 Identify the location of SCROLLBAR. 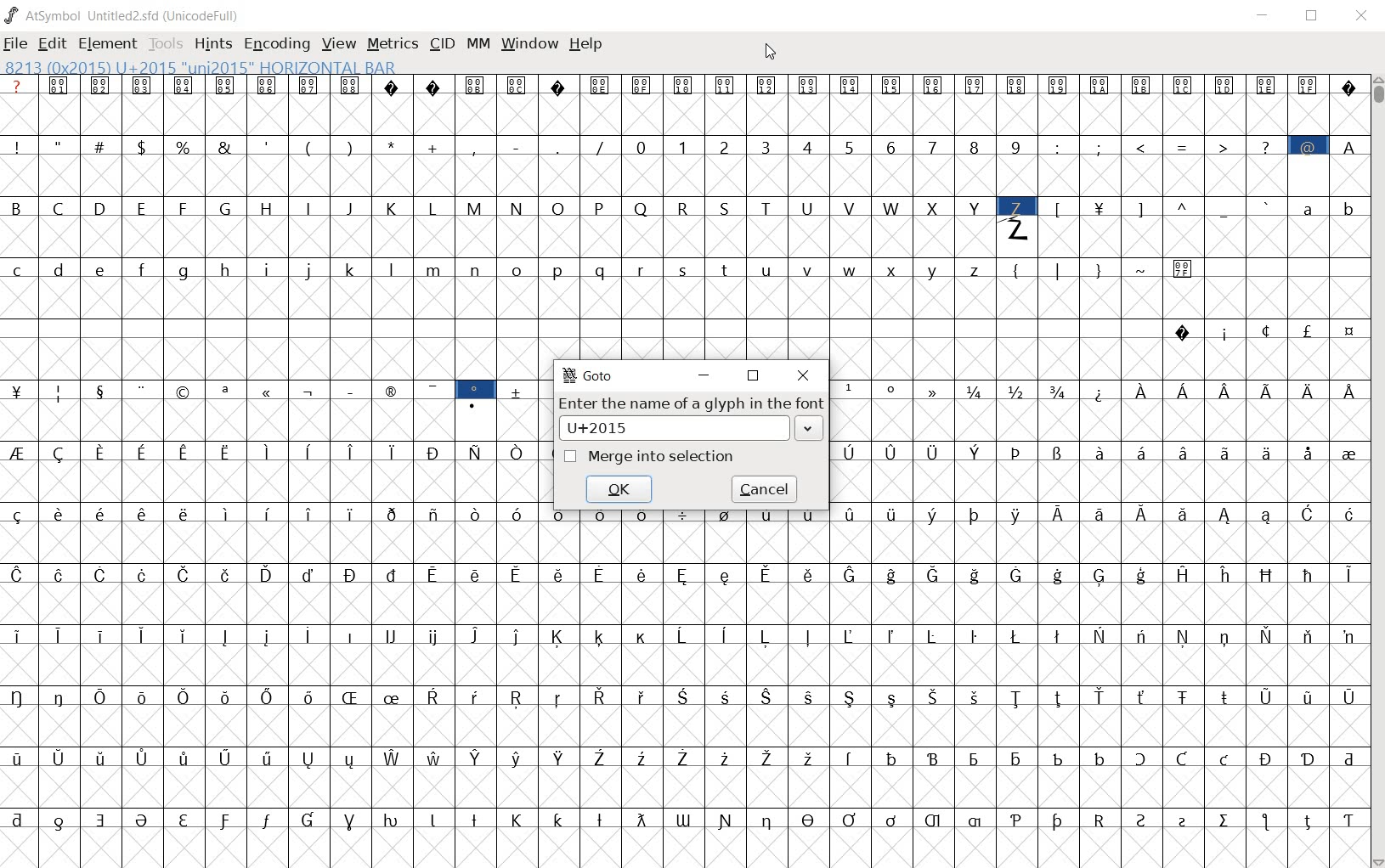
(1378, 471).